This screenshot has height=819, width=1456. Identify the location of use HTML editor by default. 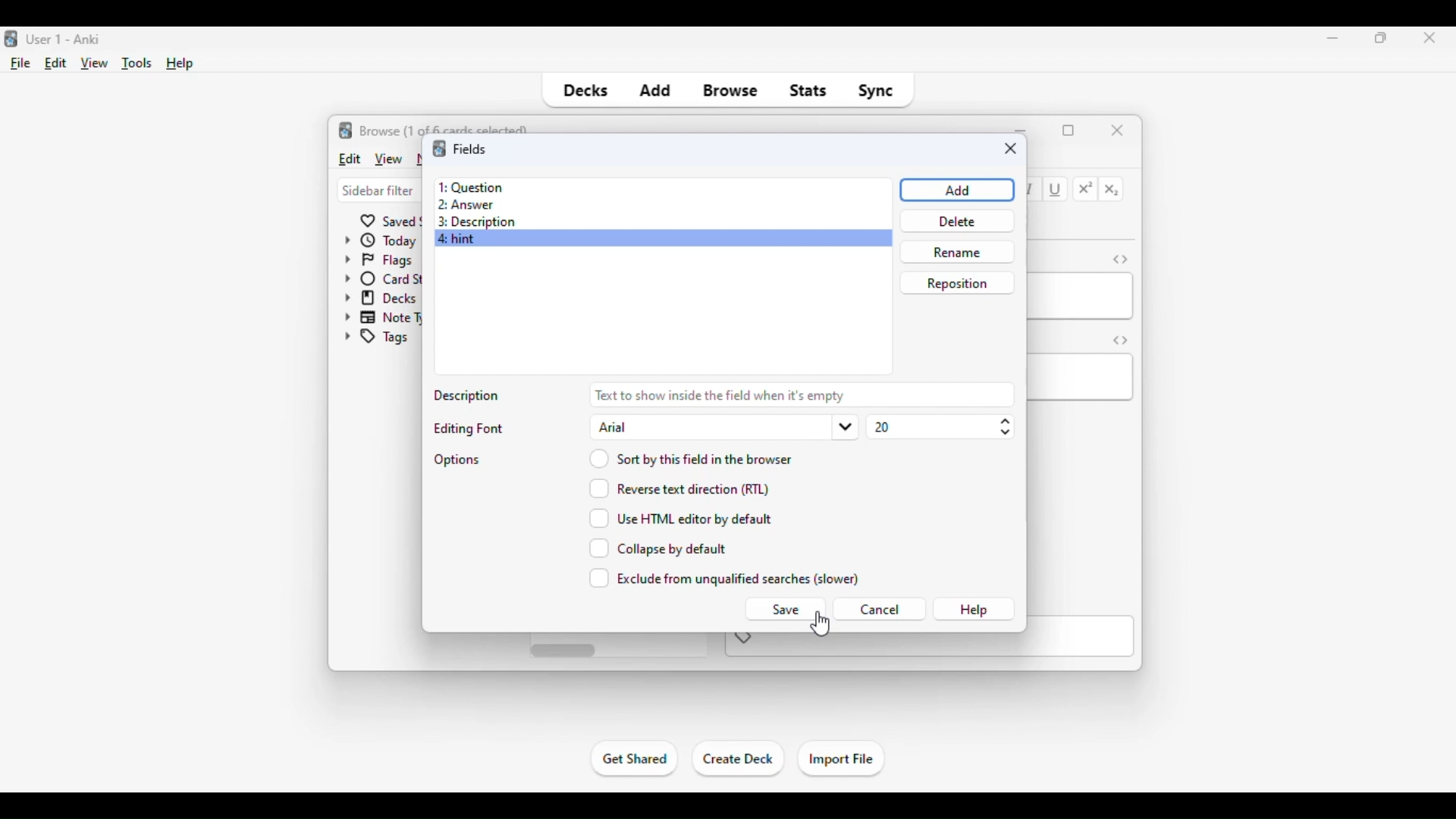
(681, 518).